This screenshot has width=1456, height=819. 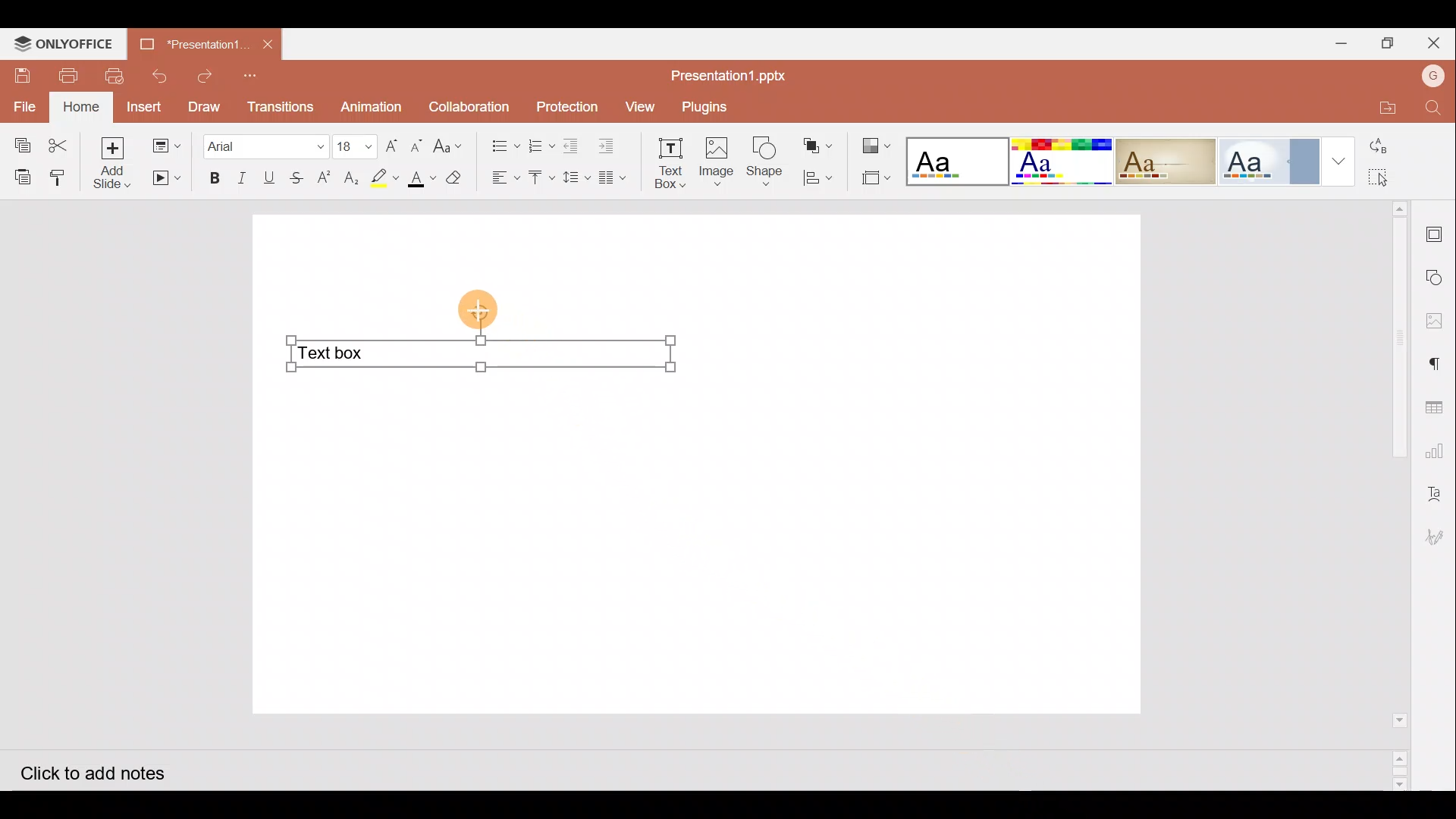 I want to click on Maximize, so click(x=1392, y=42).